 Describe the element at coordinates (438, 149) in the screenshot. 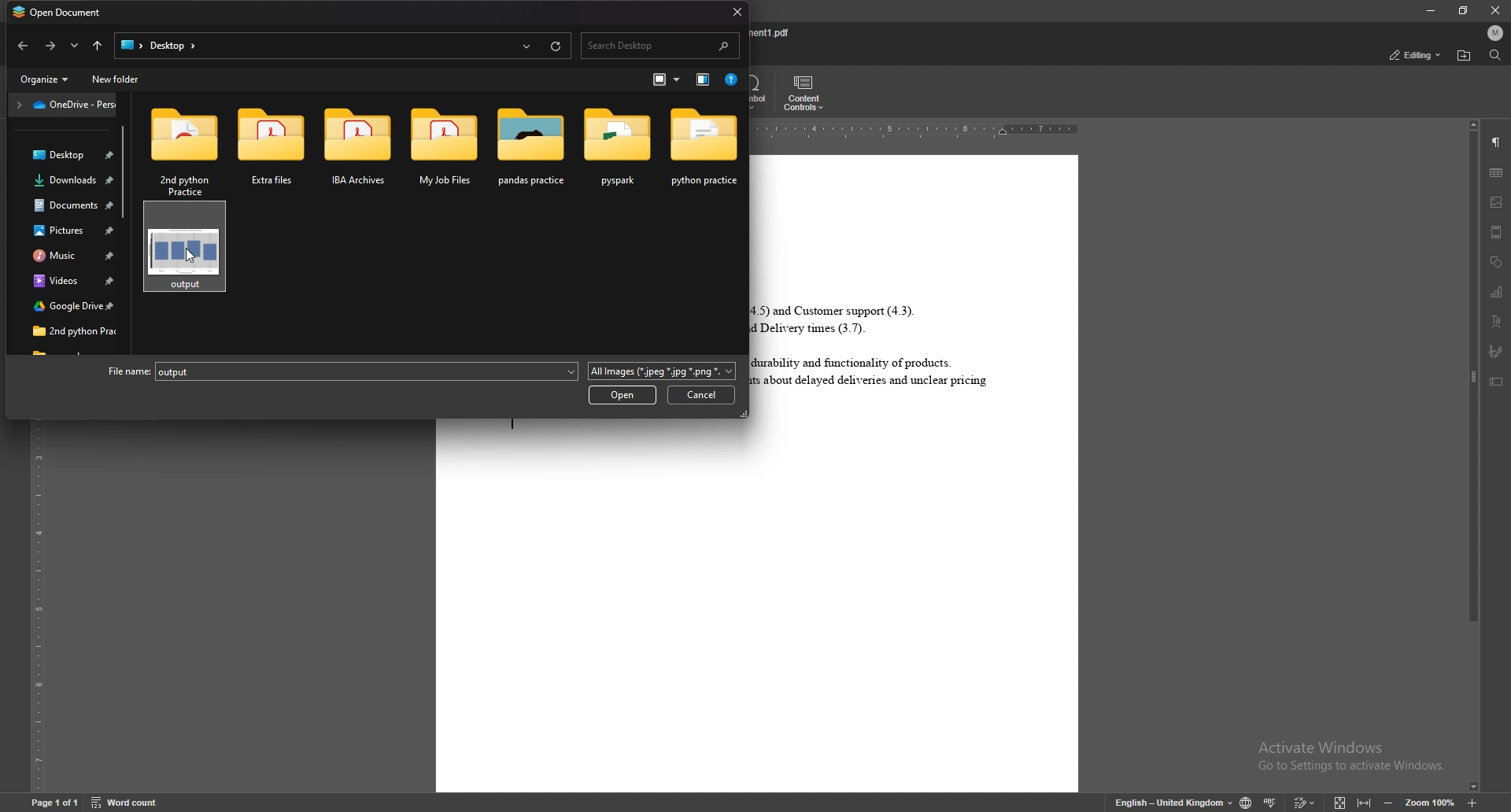

I see `folder` at that location.